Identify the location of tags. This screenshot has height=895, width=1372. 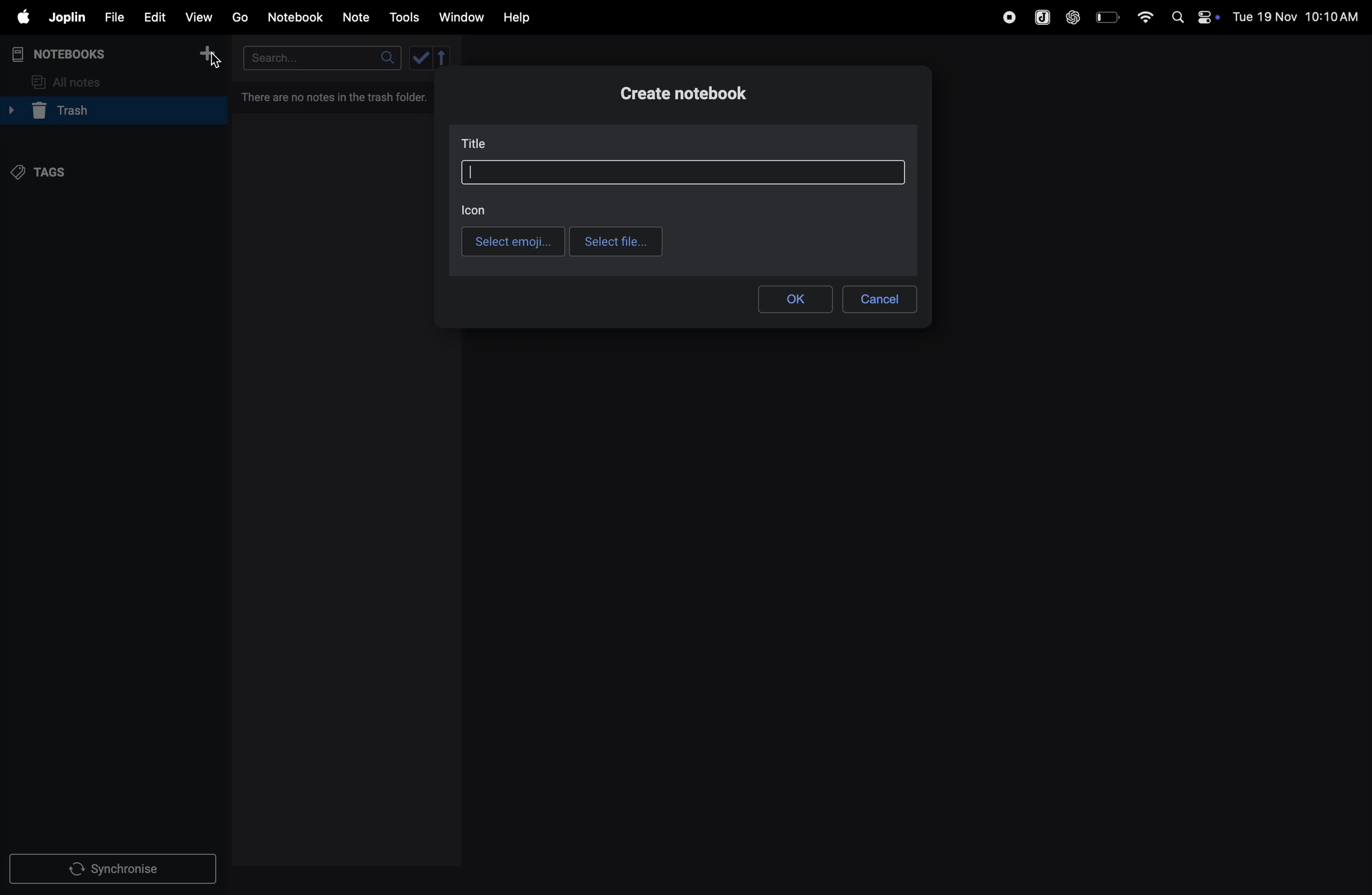
(47, 172).